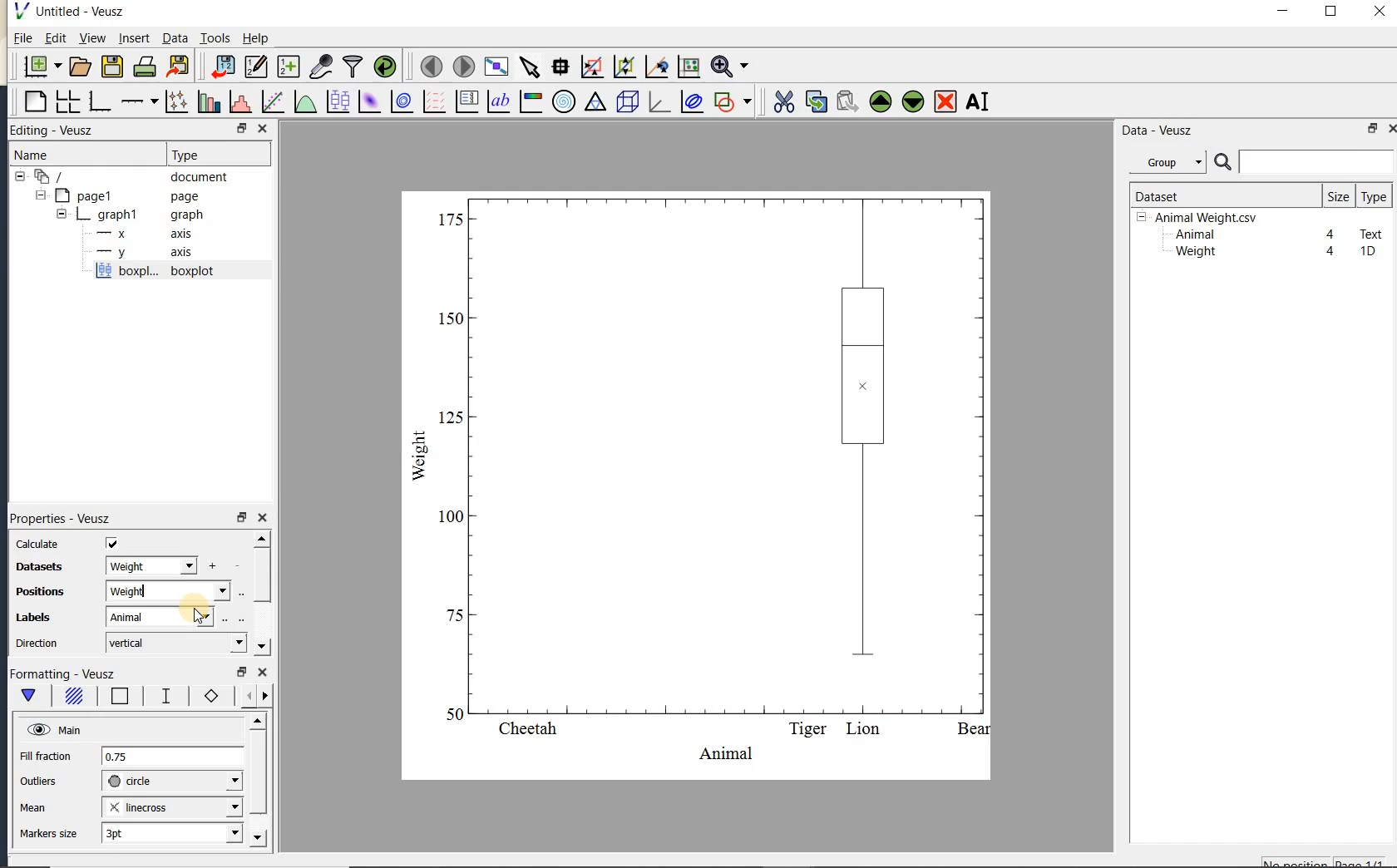 Image resolution: width=1397 pixels, height=868 pixels. What do you see at coordinates (241, 517) in the screenshot?
I see `restore` at bounding box center [241, 517].